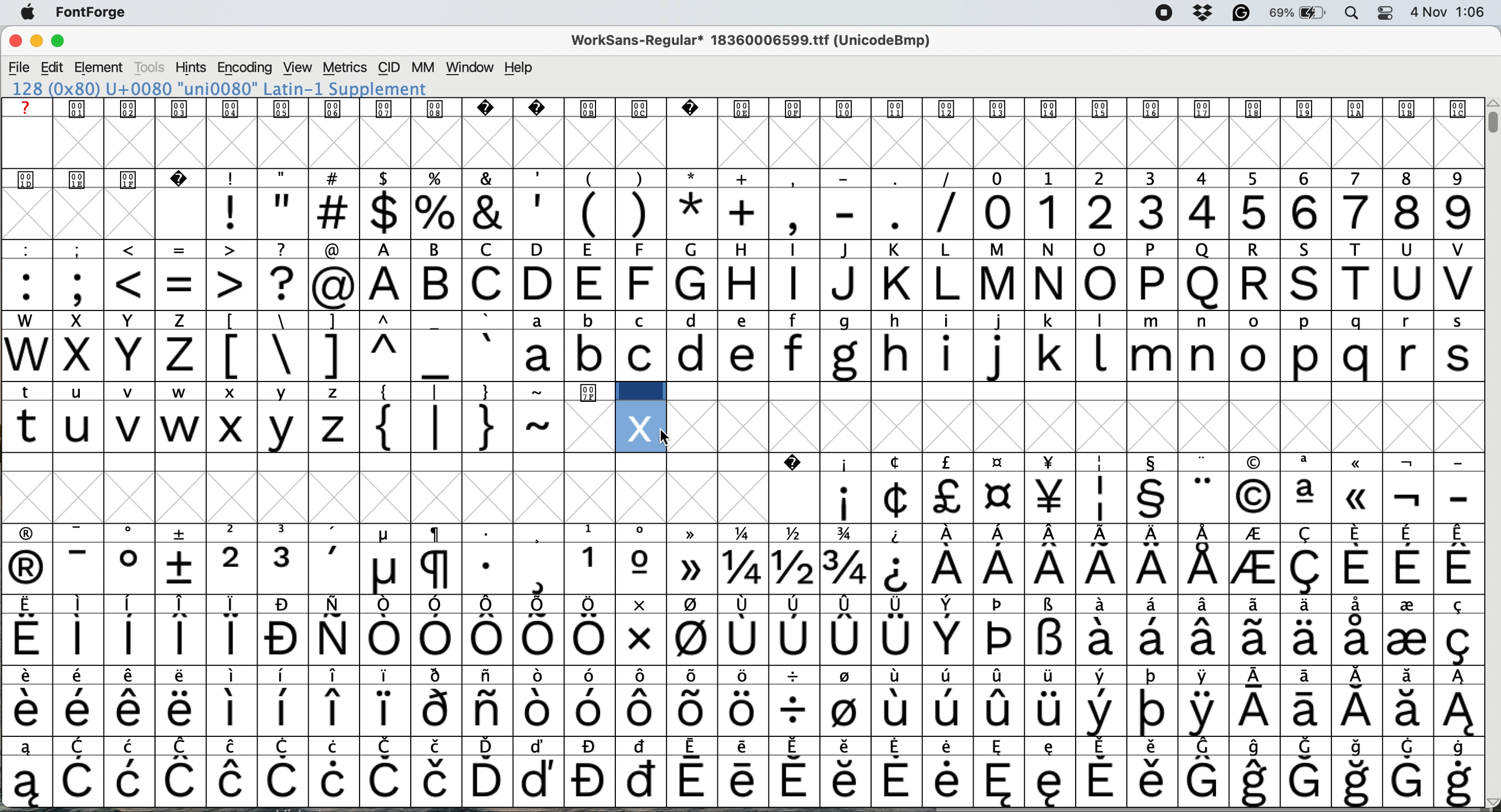 The height and width of the screenshot is (812, 1501). I want to click on special characters, so click(740, 569).